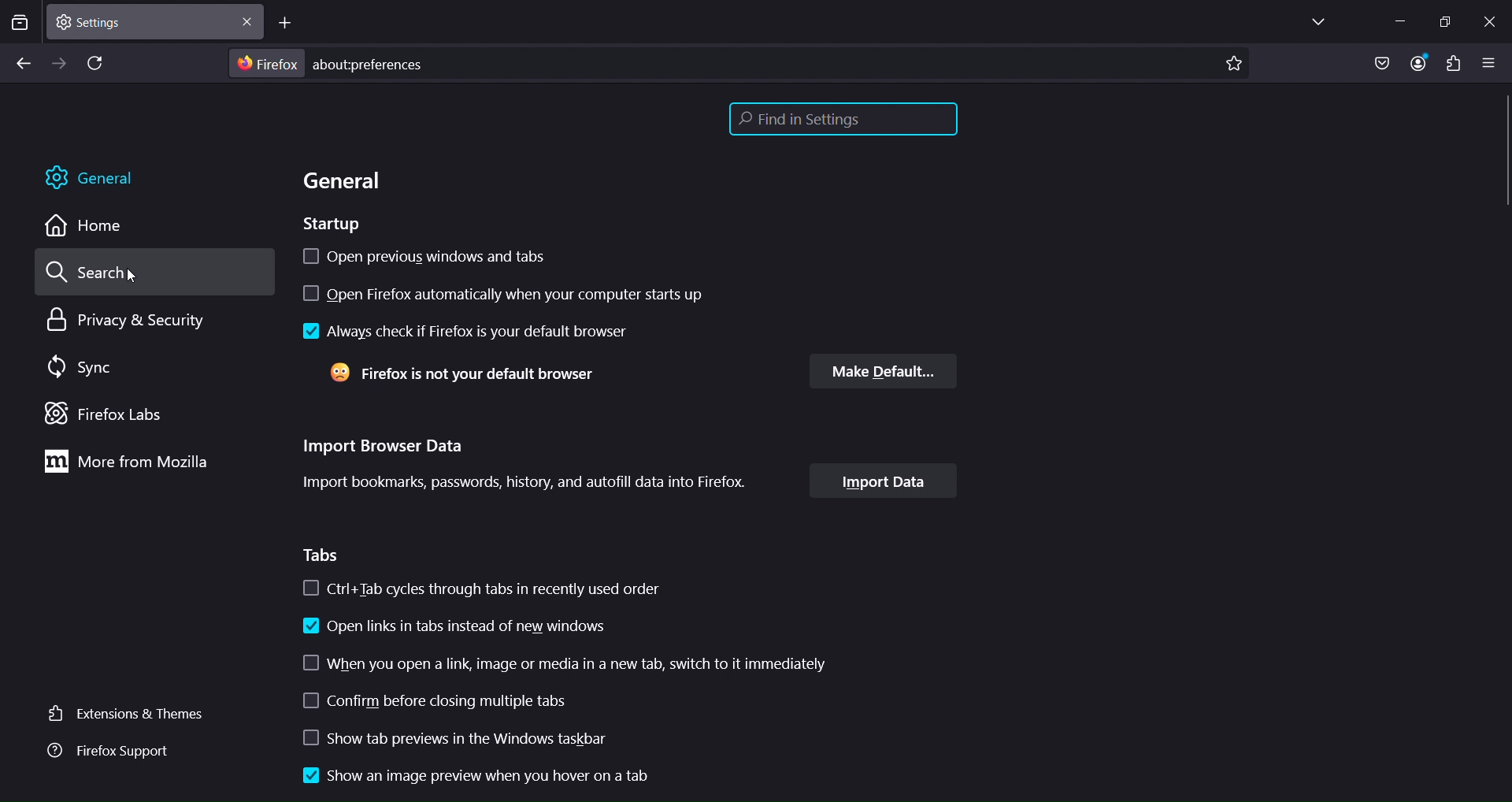 Image resolution: width=1512 pixels, height=802 pixels. I want to click on restore window, so click(1444, 21).